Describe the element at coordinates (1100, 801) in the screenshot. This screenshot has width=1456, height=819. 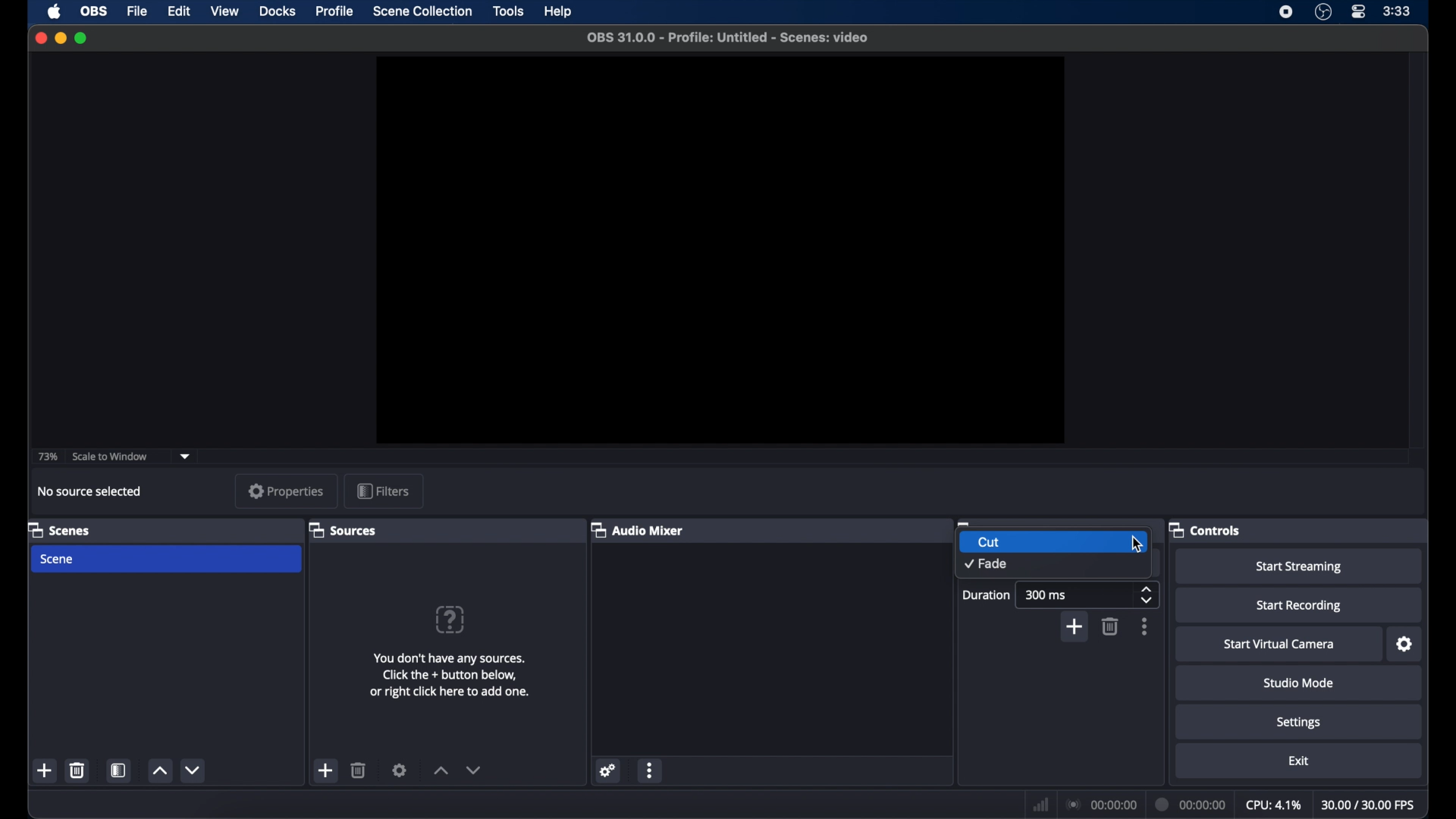
I see `connection` at that location.